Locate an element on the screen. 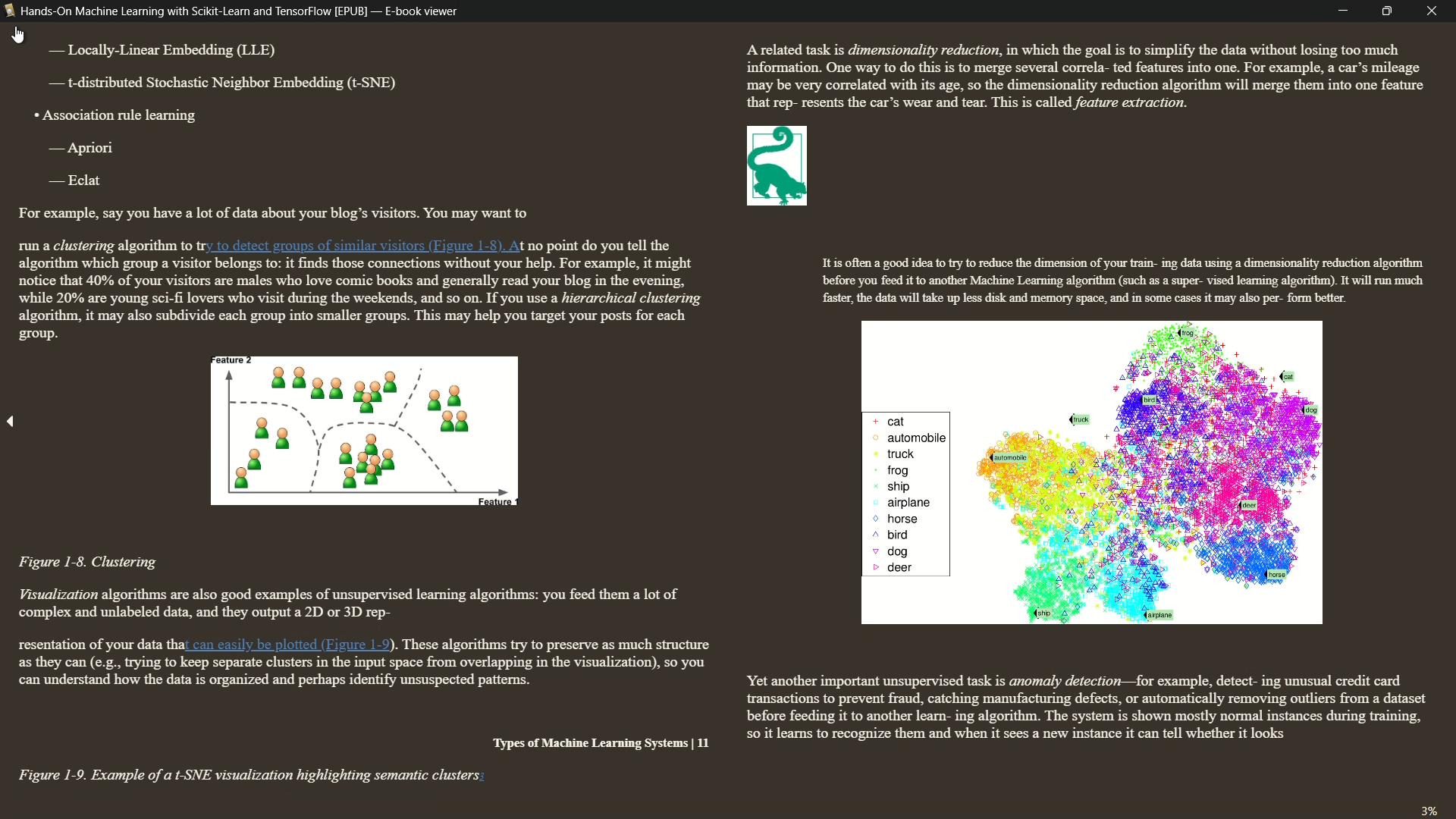  close e-book viewer mode is located at coordinates (1436, 11).